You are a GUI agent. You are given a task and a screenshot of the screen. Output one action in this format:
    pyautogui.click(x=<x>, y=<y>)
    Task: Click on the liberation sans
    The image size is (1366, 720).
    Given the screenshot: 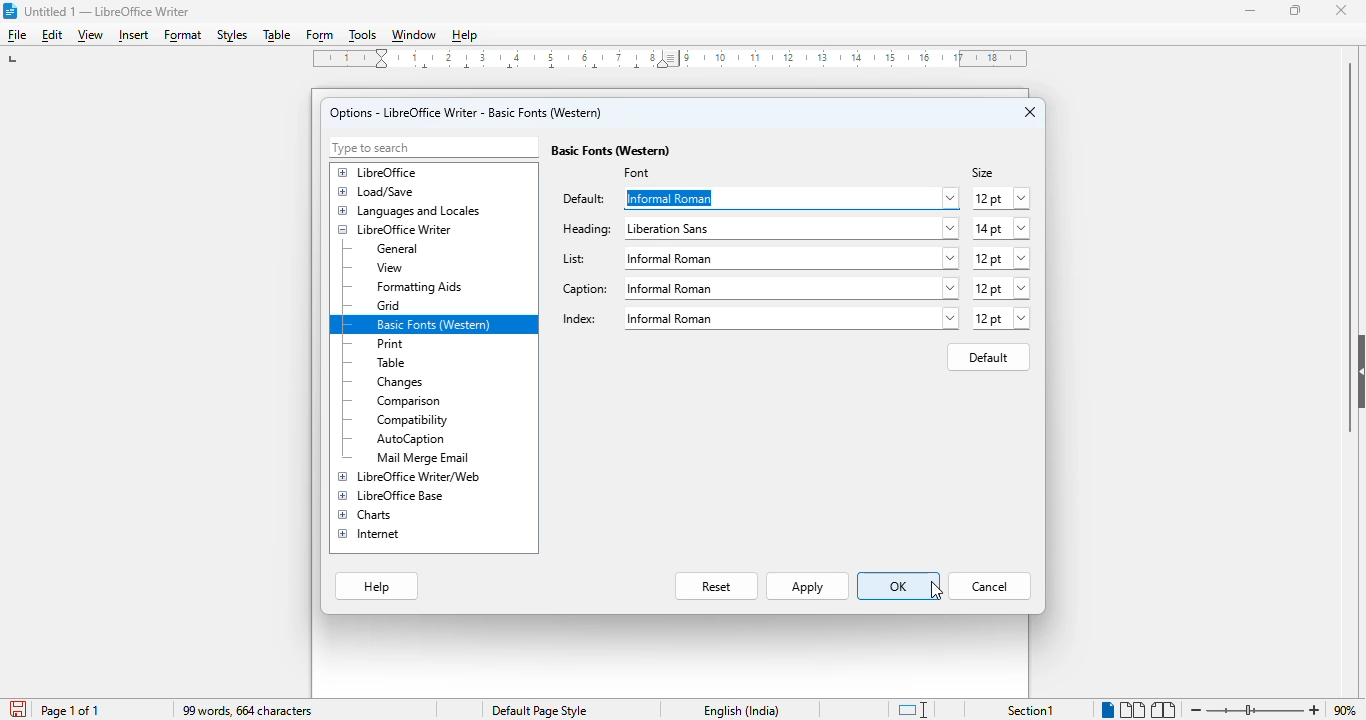 What is the action you would take?
    pyautogui.click(x=791, y=258)
    